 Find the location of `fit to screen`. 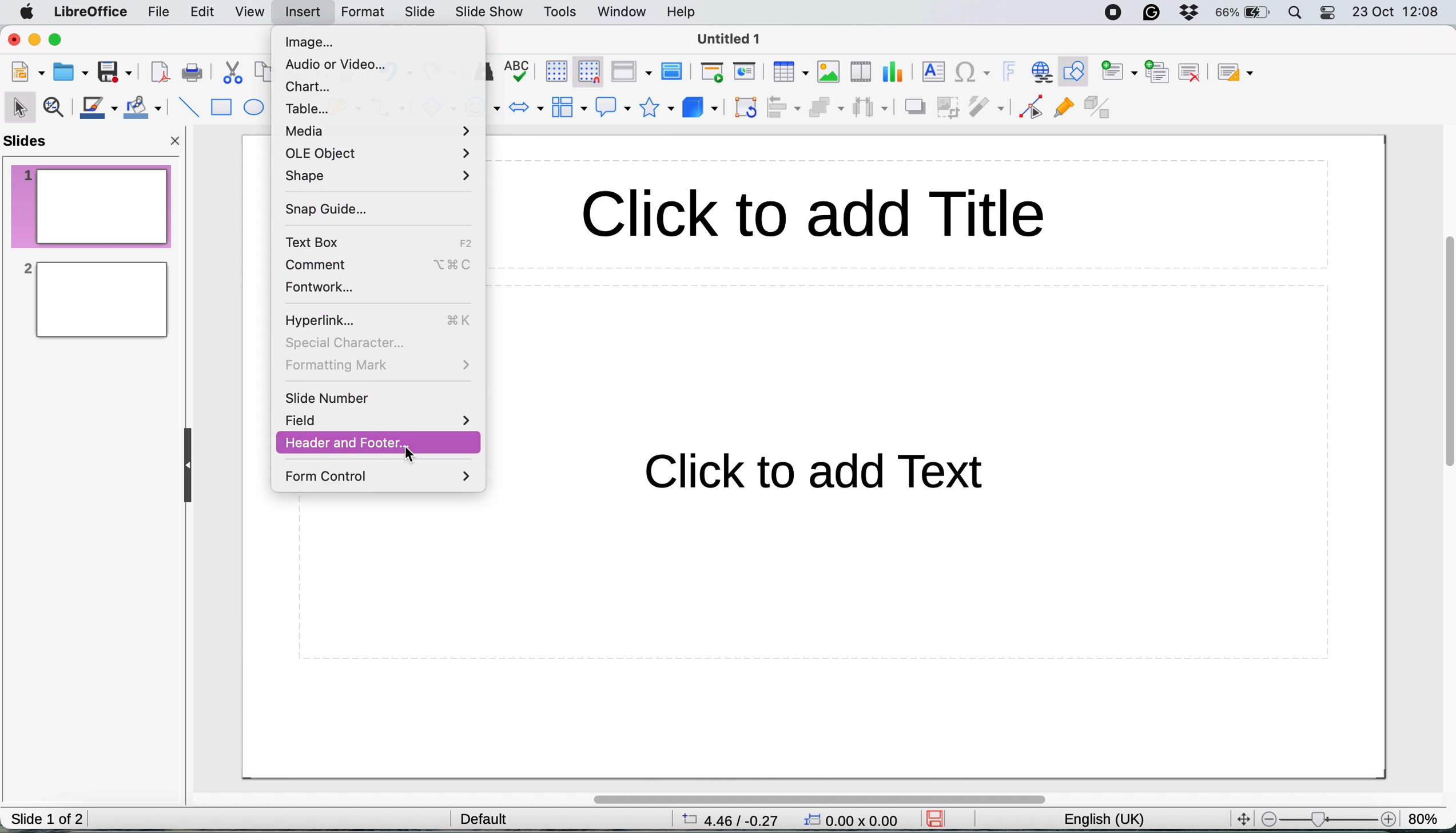

fit to screen is located at coordinates (1240, 818).